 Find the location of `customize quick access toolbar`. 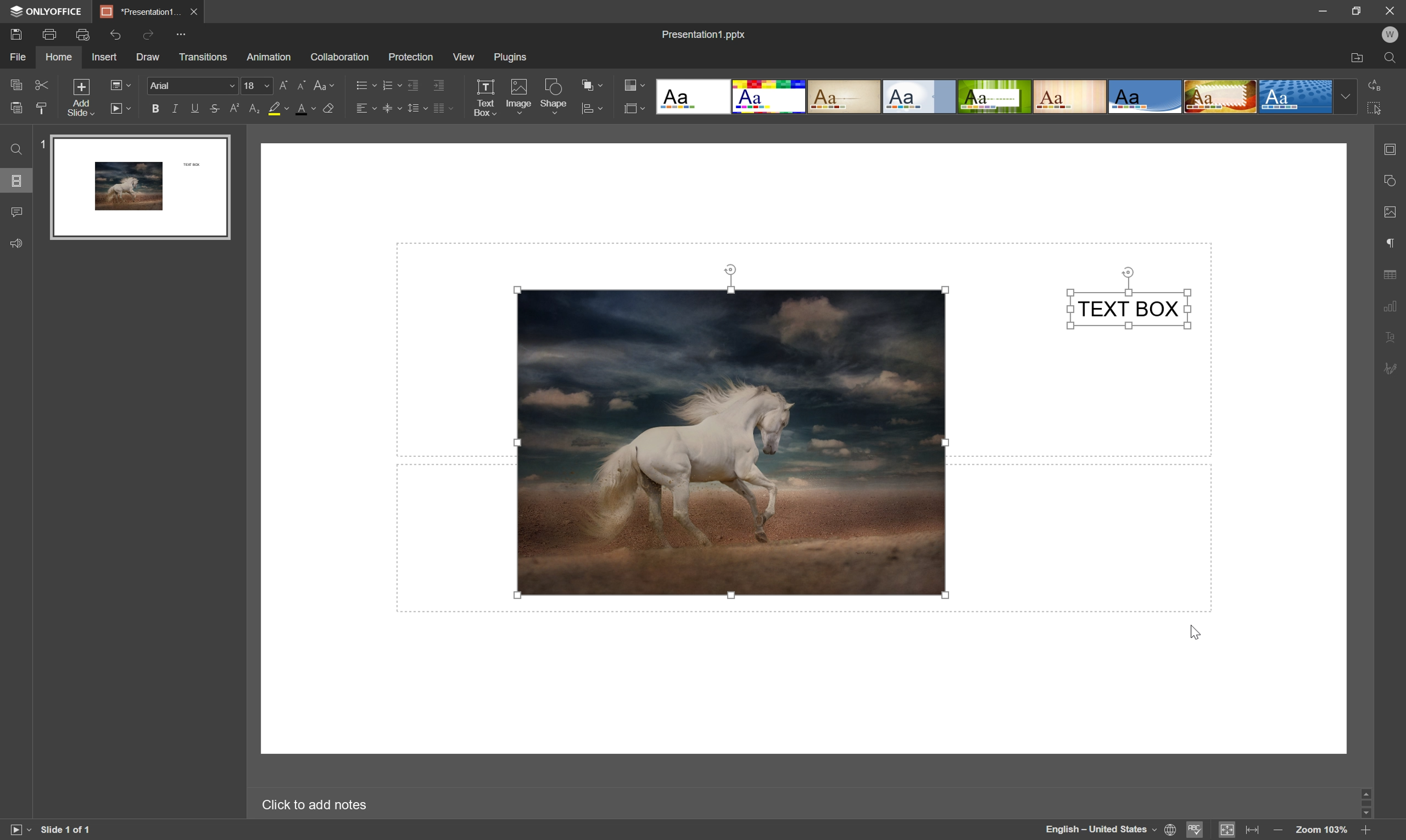

customize quick access toolbar is located at coordinates (188, 33).